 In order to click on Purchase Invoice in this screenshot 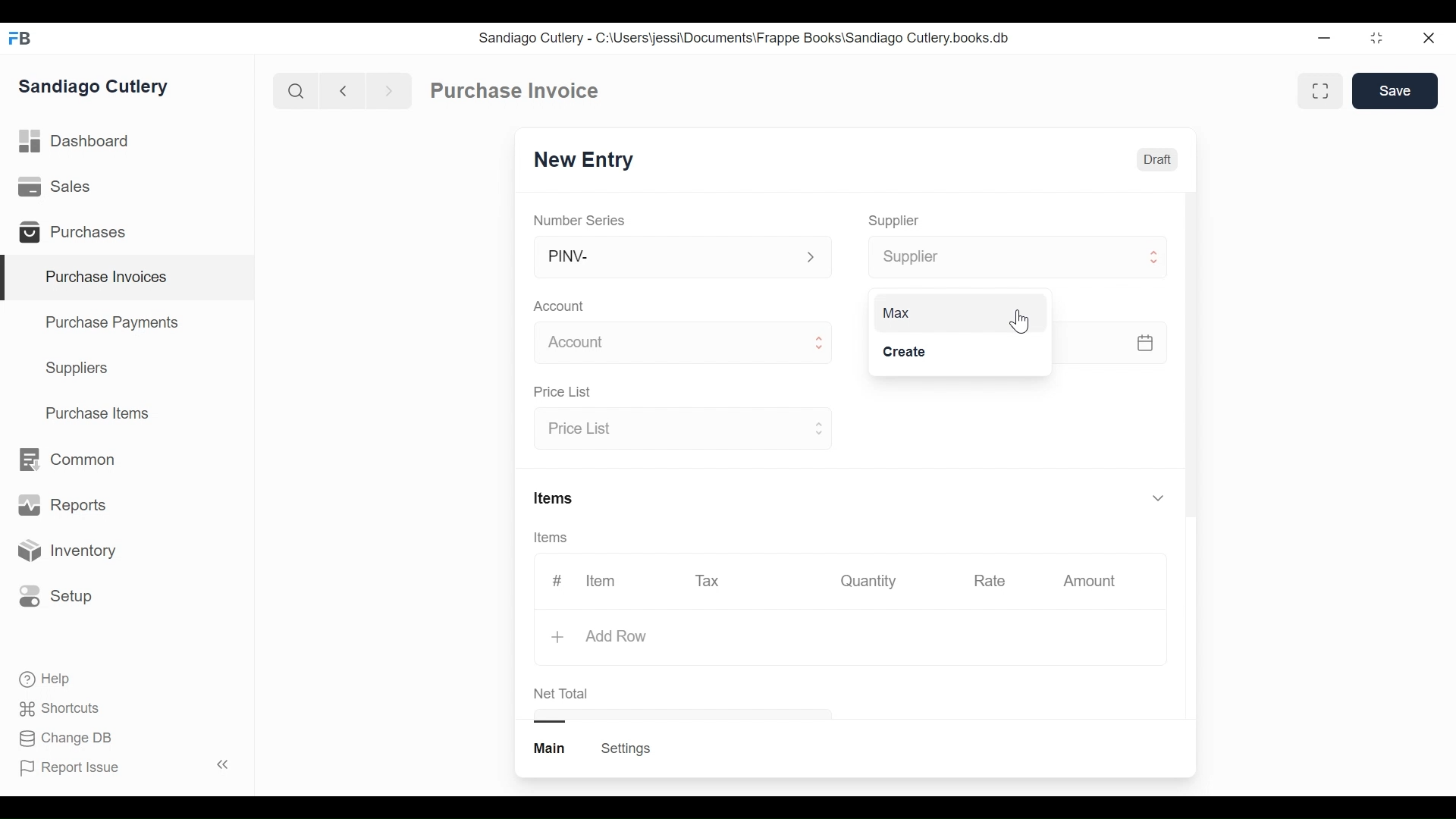, I will do `click(516, 91)`.